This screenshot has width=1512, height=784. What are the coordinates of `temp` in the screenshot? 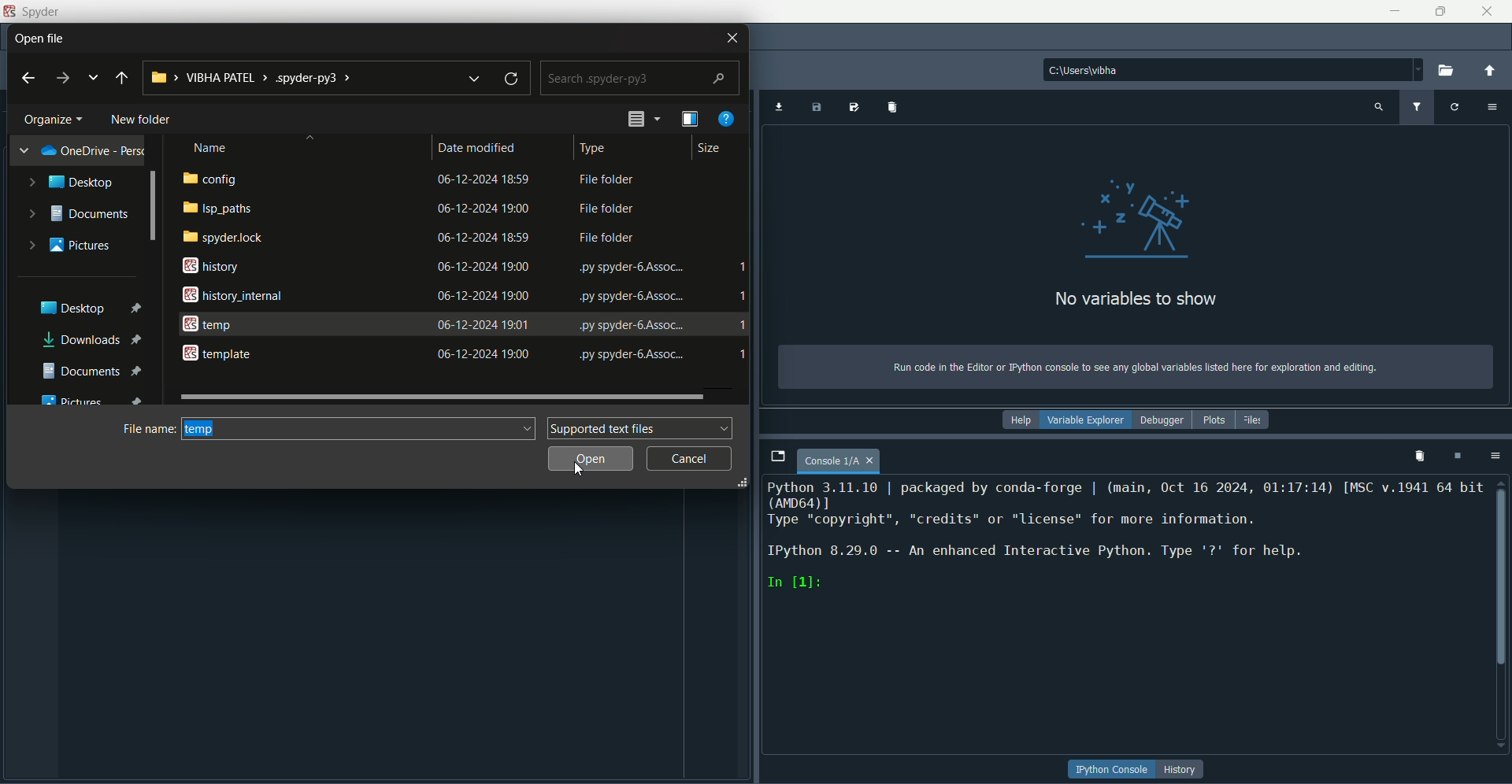 It's located at (209, 324).